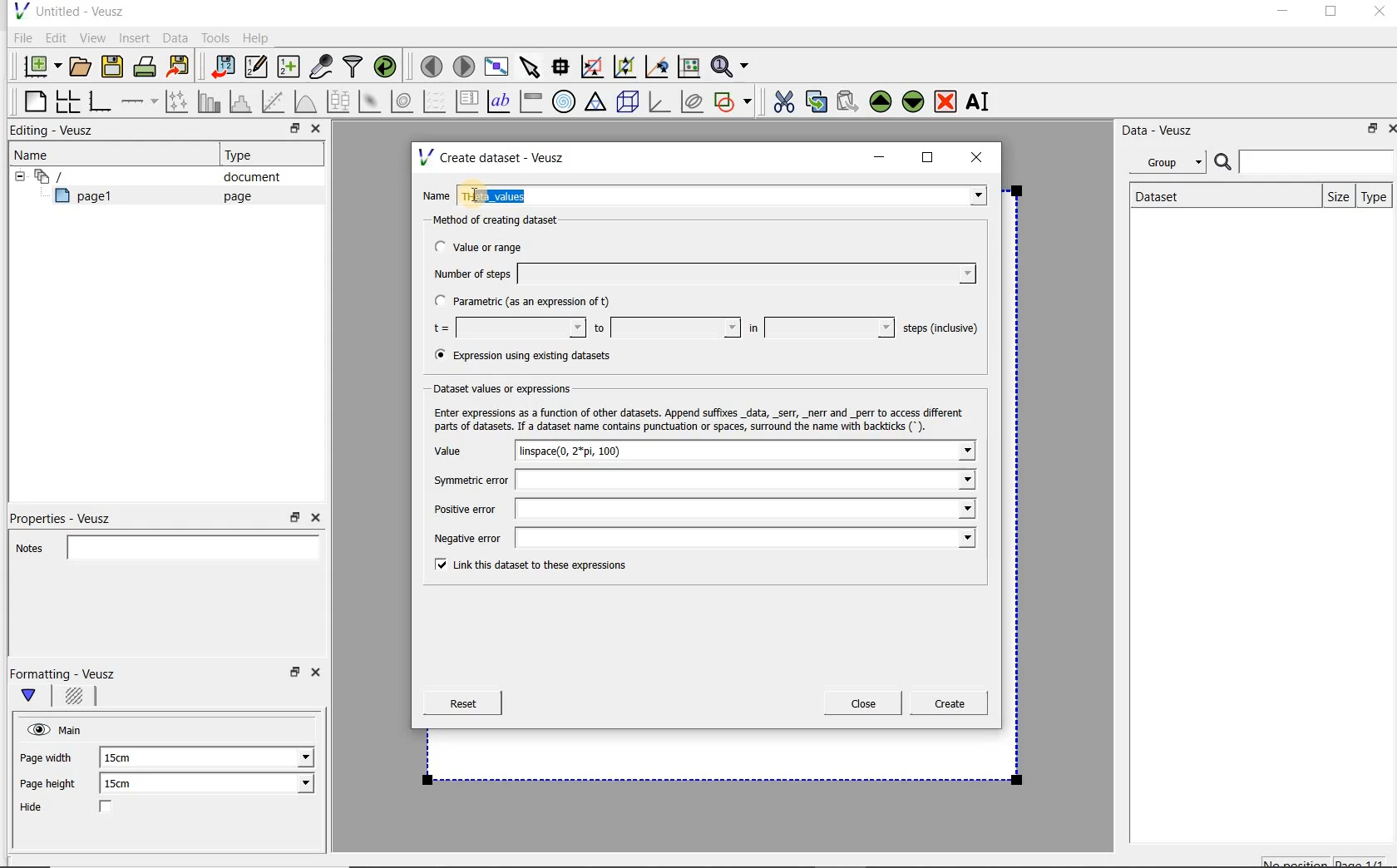 The width and height of the screenshot is (1397, 868). I want to click on add an axis to a plot, so click(141, 101).